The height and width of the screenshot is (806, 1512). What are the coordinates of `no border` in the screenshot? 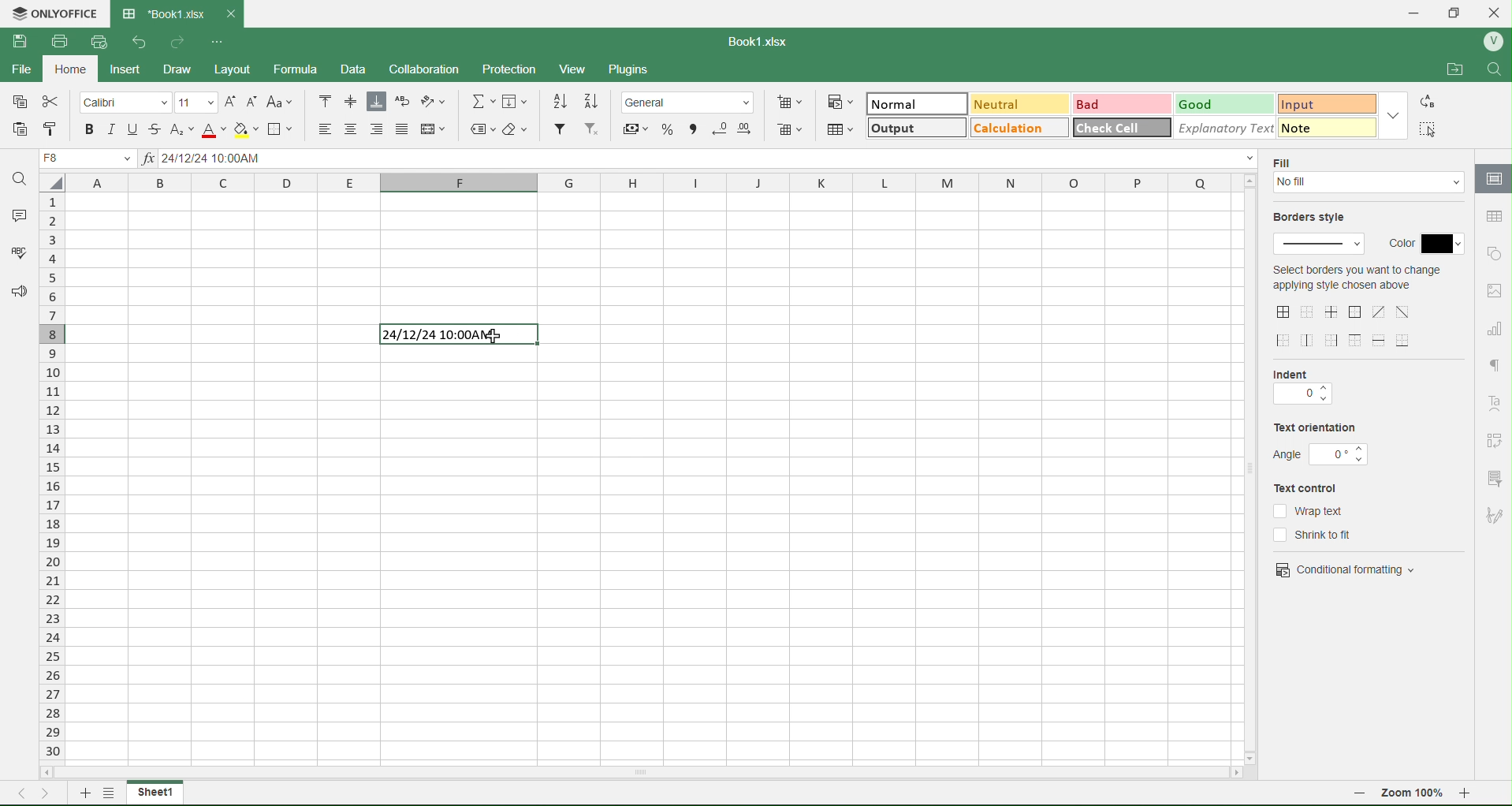 It's located at (1307, 312).